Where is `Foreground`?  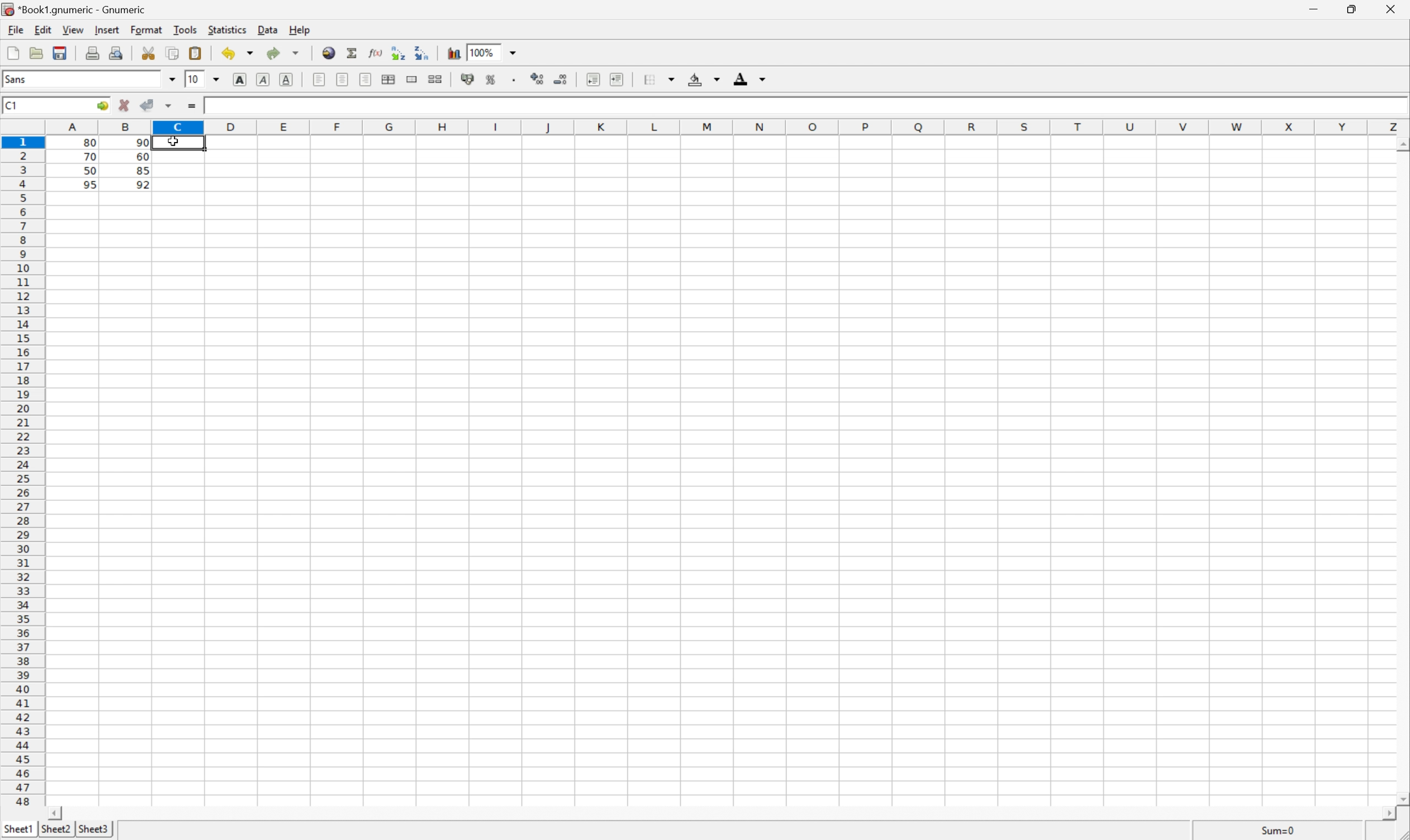
Foreground is located at coordinates (749, 76).